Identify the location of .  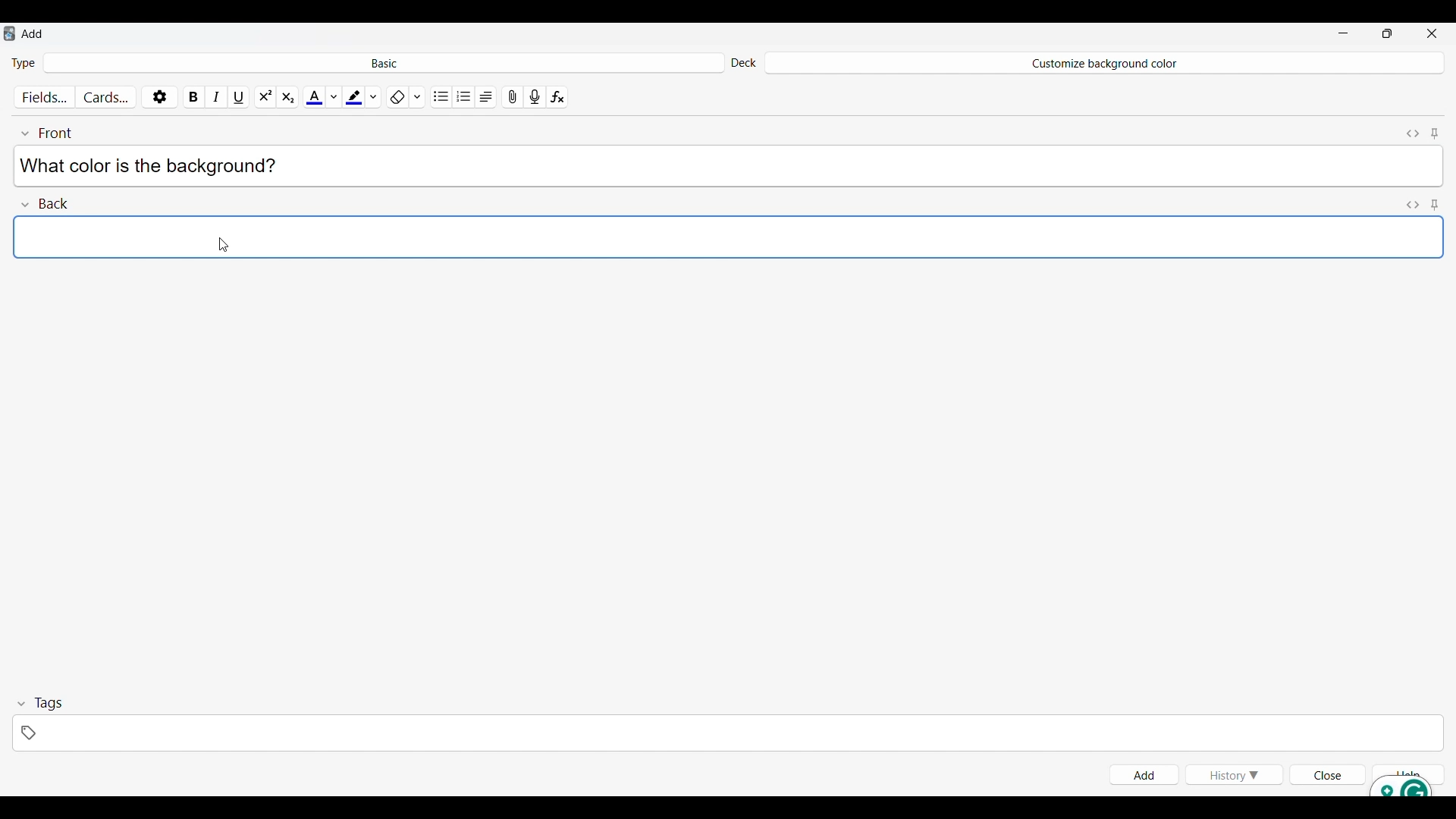
(1144, 776).